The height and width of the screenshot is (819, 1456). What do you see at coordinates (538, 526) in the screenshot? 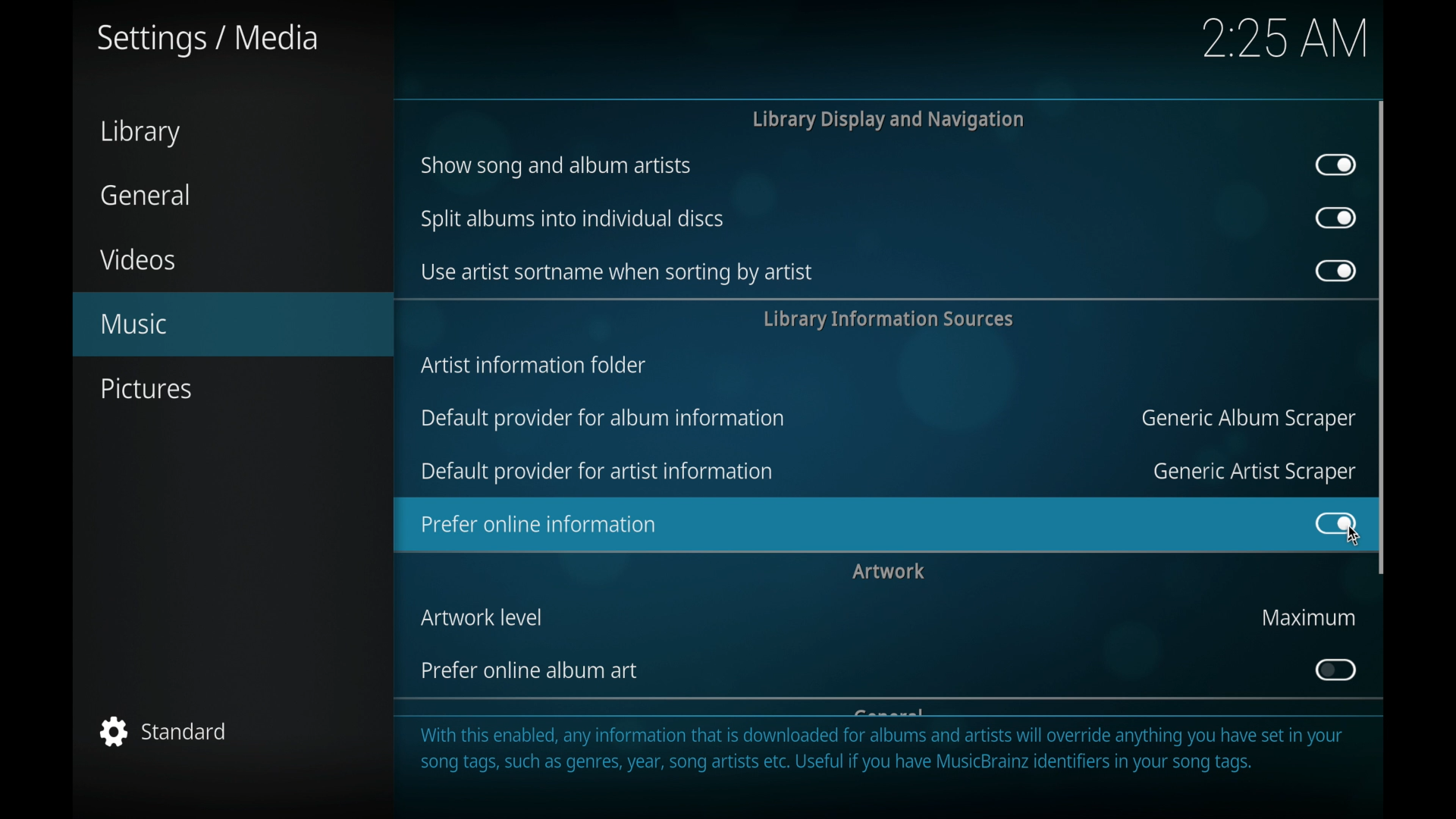
I see `prefer online information` at bounding box center [538, 526].